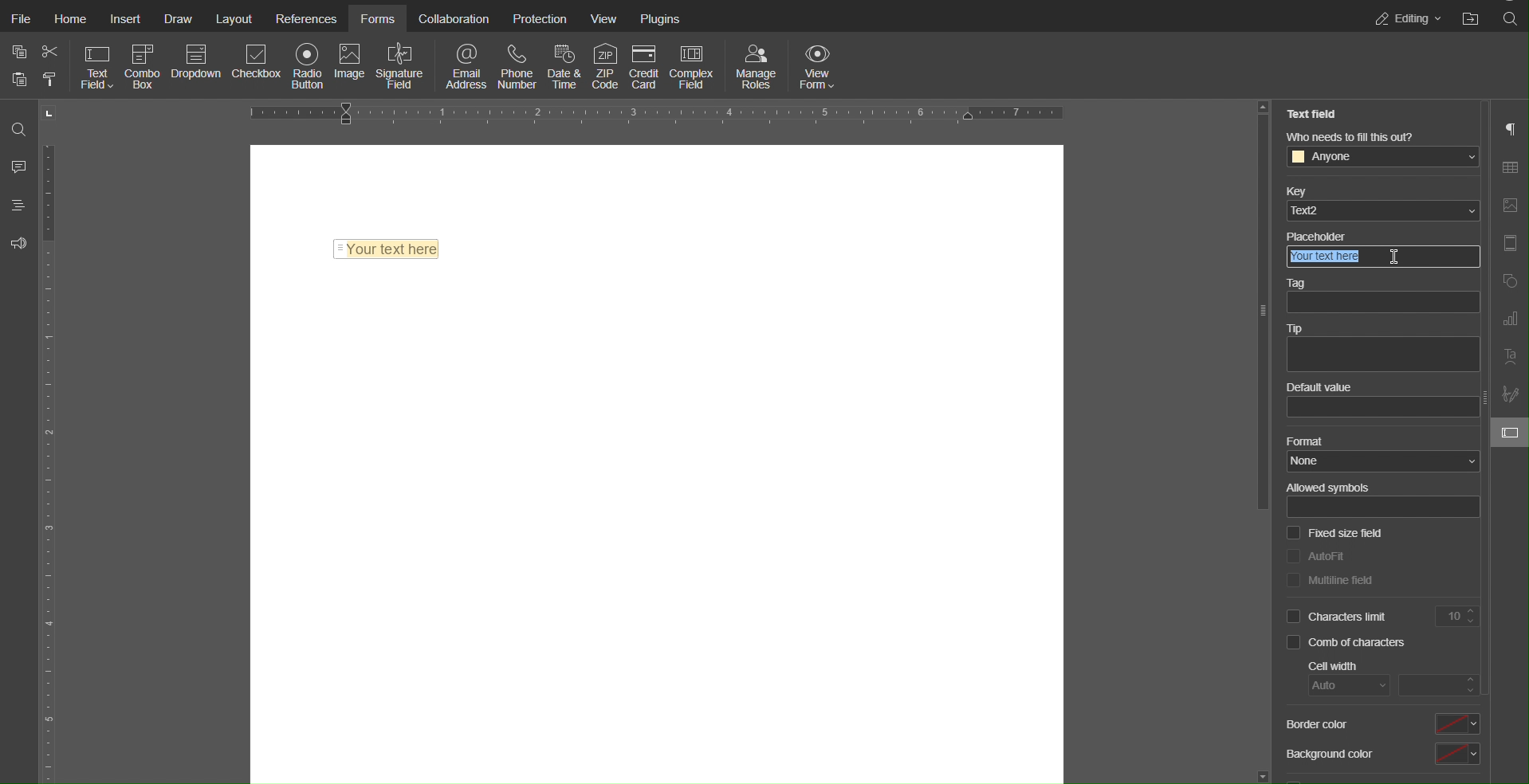 This screenshot has width=1529, height=784. I want to click on Draw, so click(176, 20).